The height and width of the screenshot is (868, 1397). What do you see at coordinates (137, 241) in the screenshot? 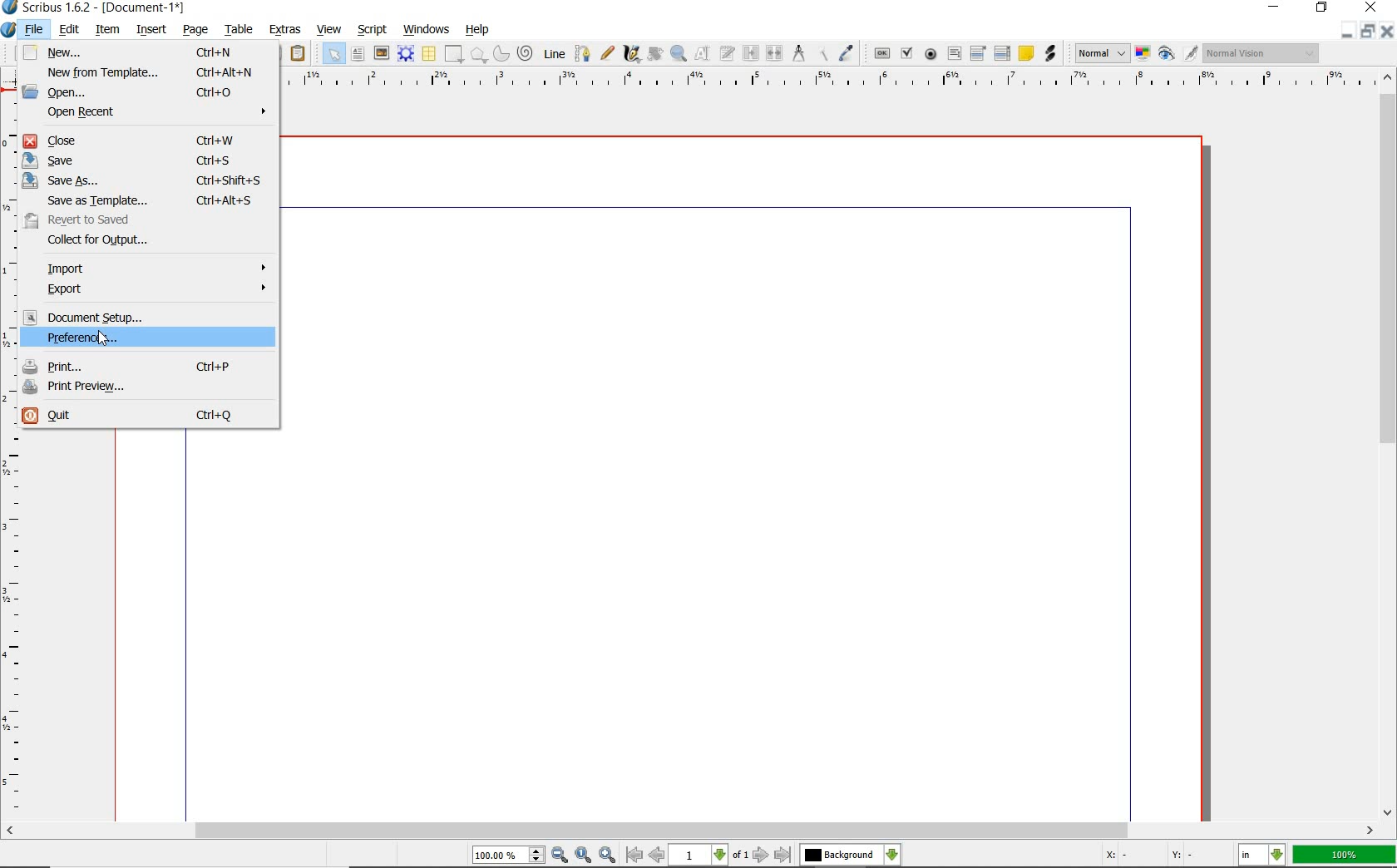
I see `COLLECT FOR OUTPUT` at bounding box center [137, 241].